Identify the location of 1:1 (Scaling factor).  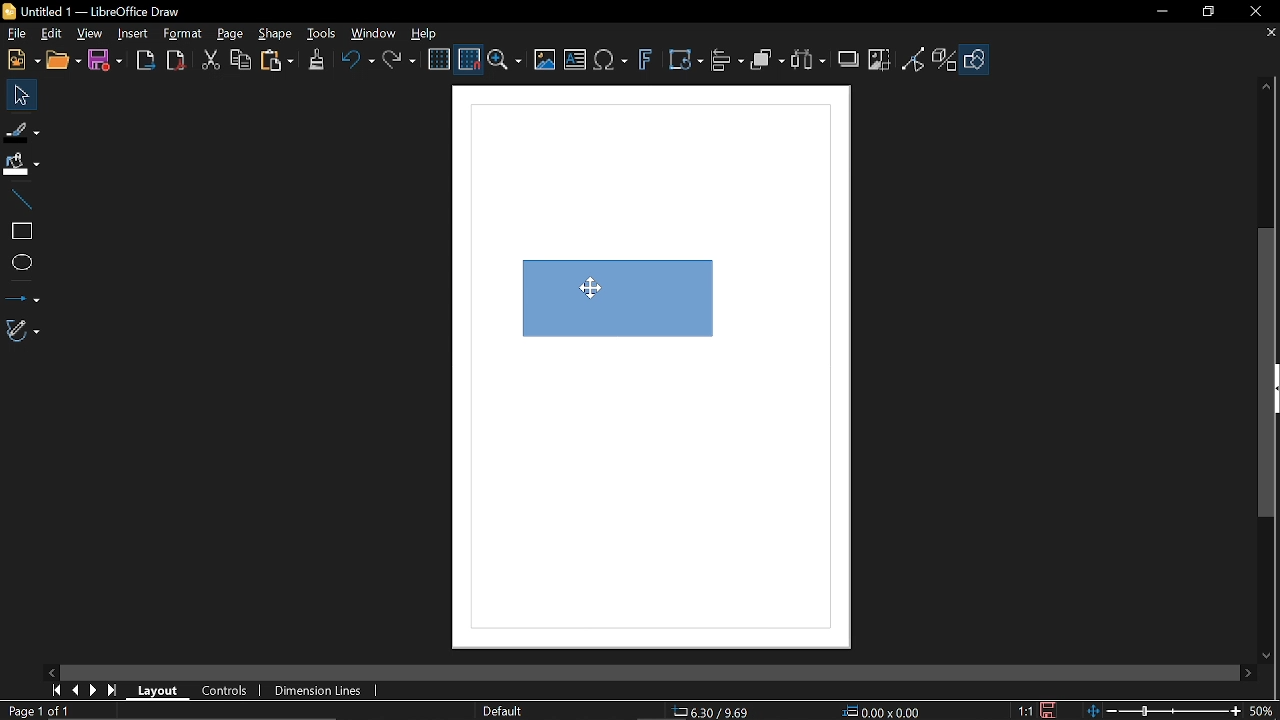
(1025, 711).